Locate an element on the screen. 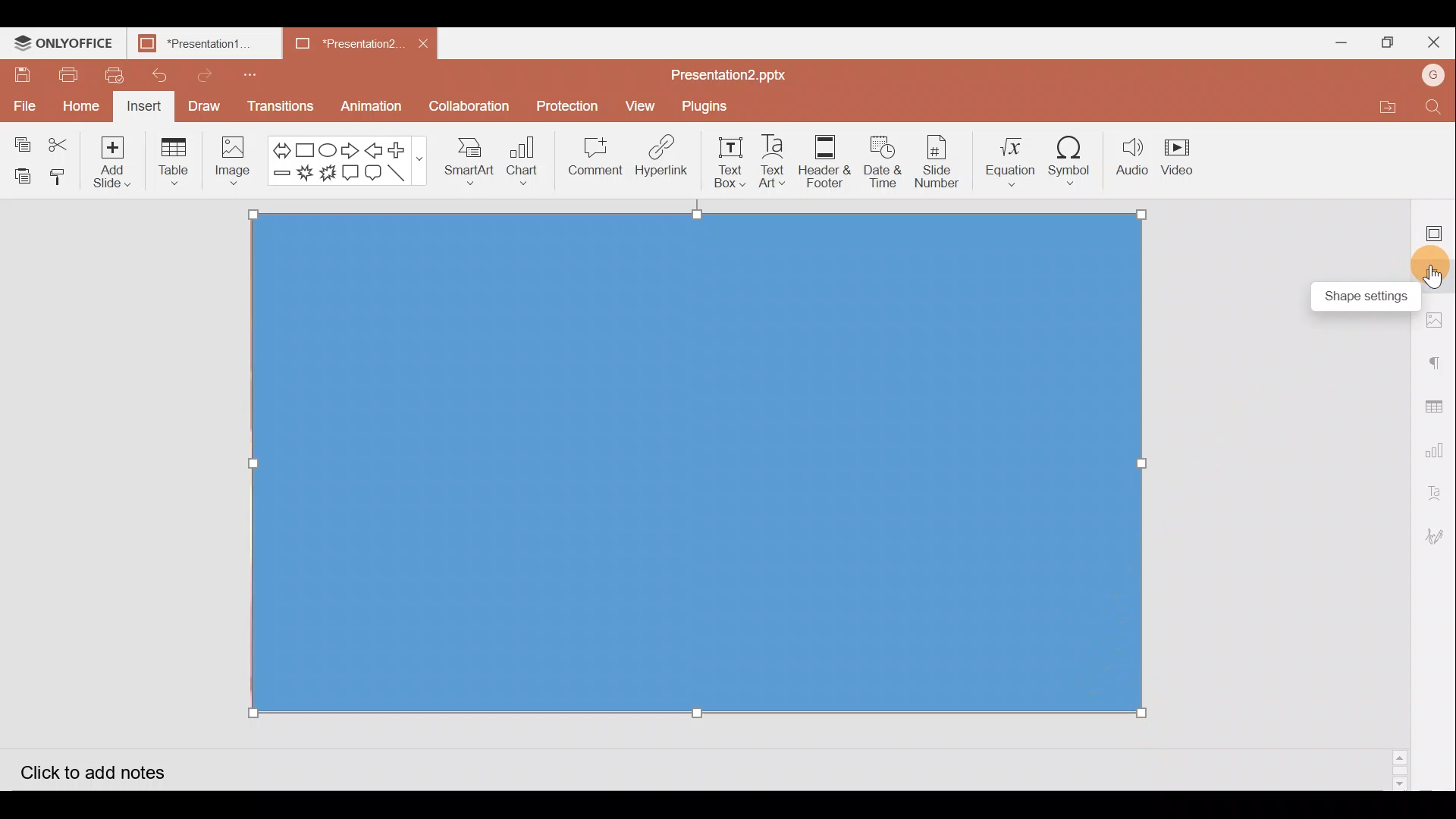 The width and height of the screenshot is (1456, 819). Customize quick access toolbar is located at coordinates (251, 74).